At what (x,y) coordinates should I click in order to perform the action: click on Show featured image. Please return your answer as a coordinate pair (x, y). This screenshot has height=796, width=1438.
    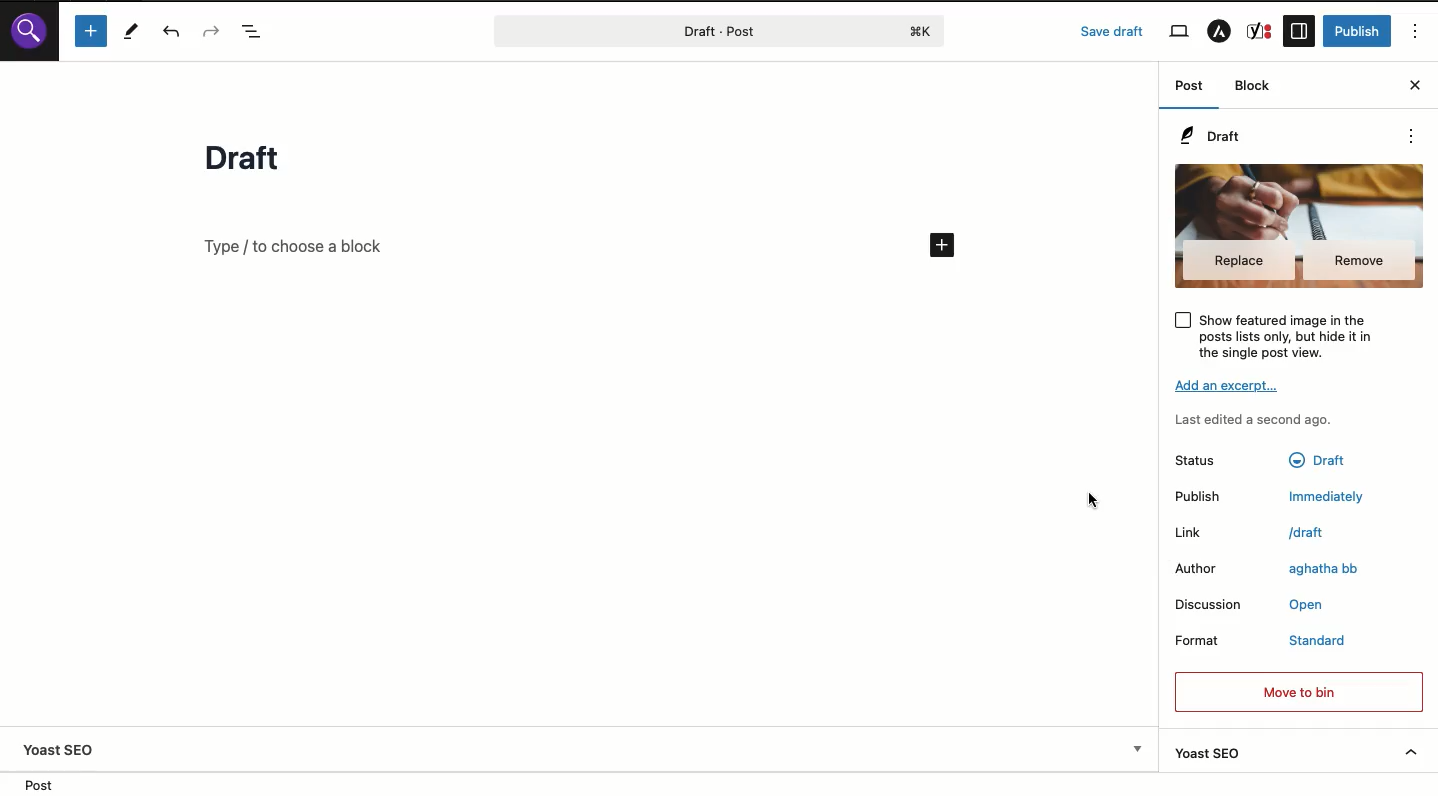
    Looking at the image, I should click on (1296, 335).